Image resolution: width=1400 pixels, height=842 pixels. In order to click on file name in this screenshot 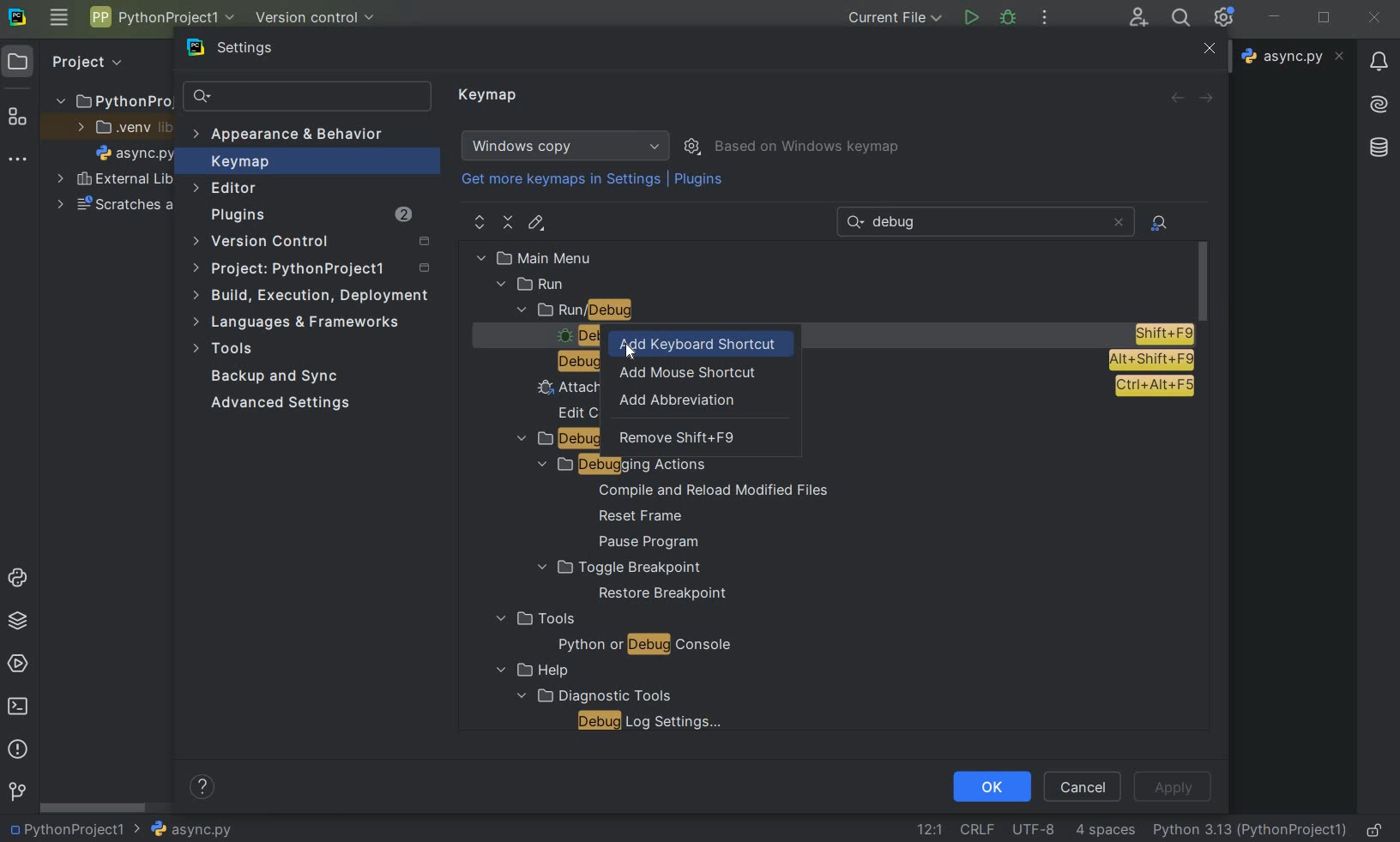, I will do `click(183, 829)`.